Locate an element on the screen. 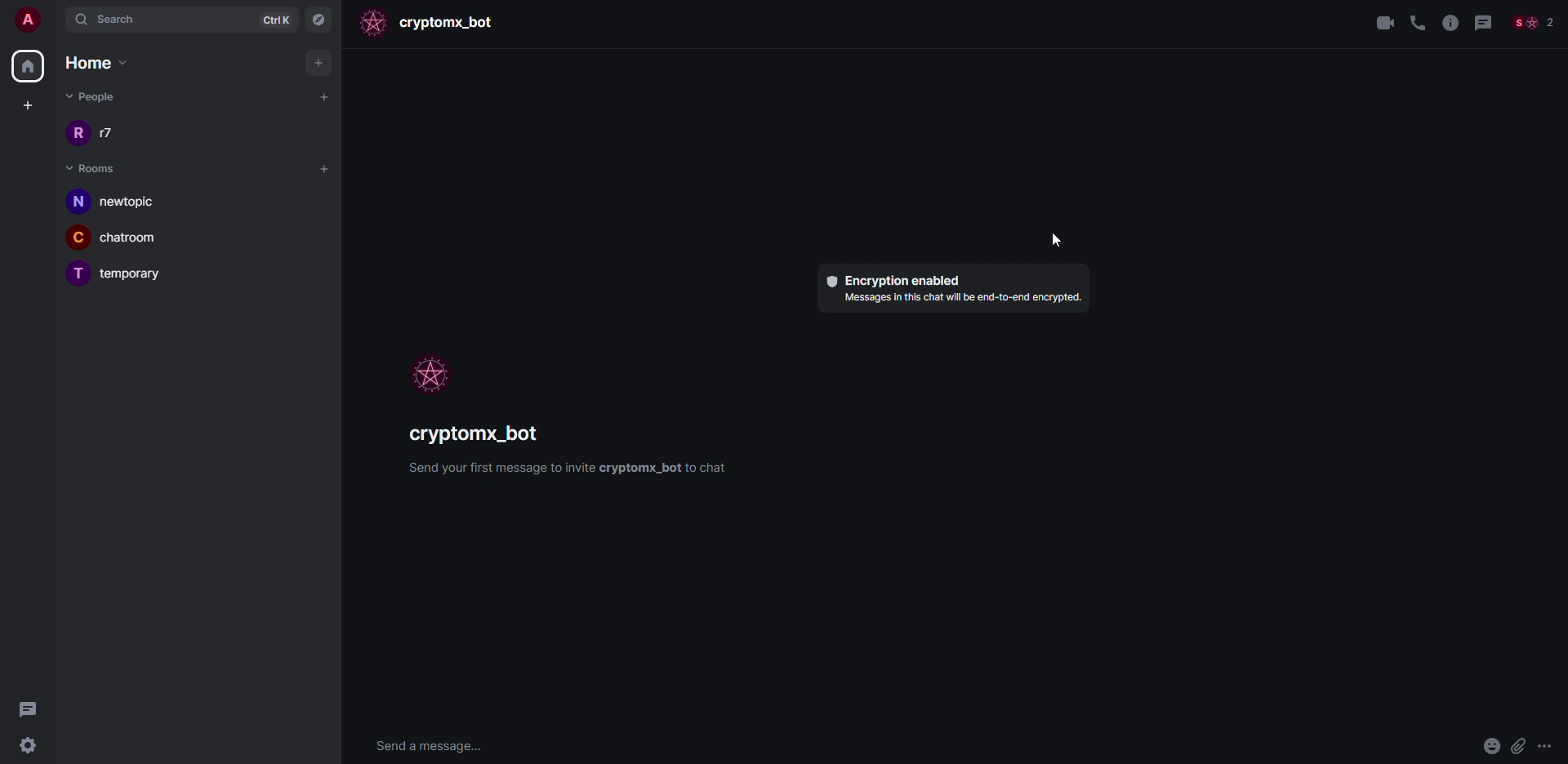  bot is located at coordinates (430, 23).